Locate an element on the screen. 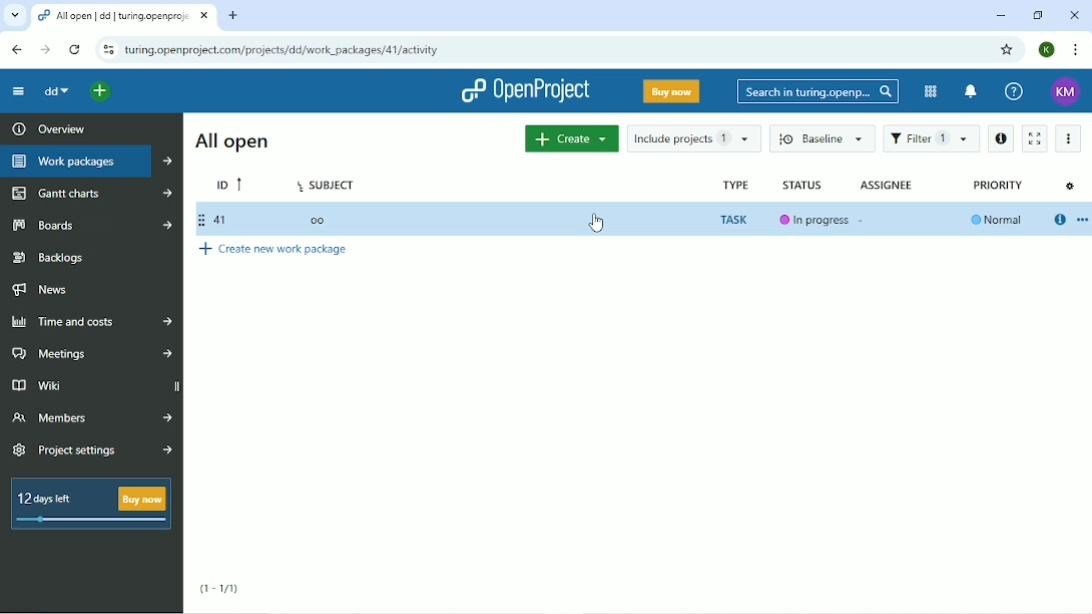  Reload this page is located at coordinates (76, 50).